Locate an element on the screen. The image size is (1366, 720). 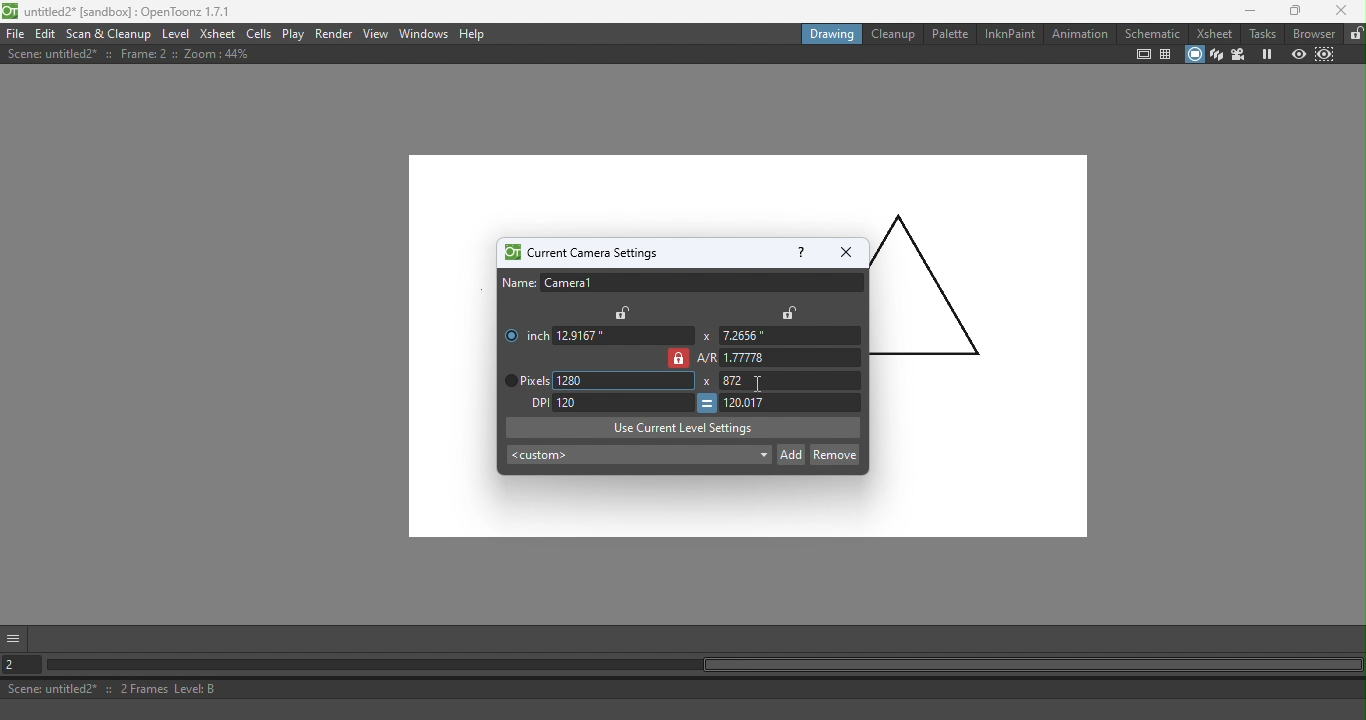
enter dimension is located at coordinates (623, 335).